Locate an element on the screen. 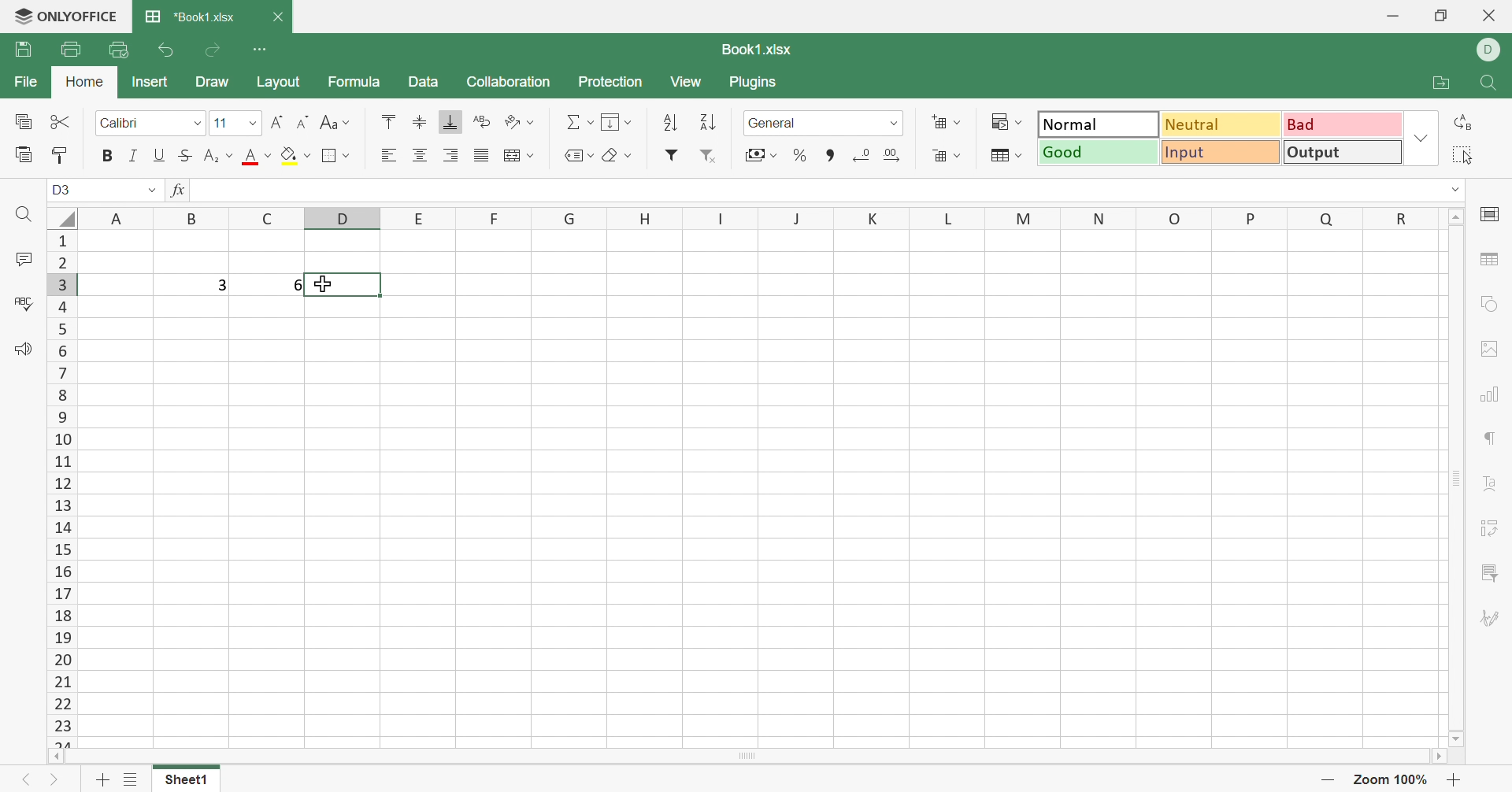 The image size is (1512, 792). Good is located at coordinates (1099, 151).